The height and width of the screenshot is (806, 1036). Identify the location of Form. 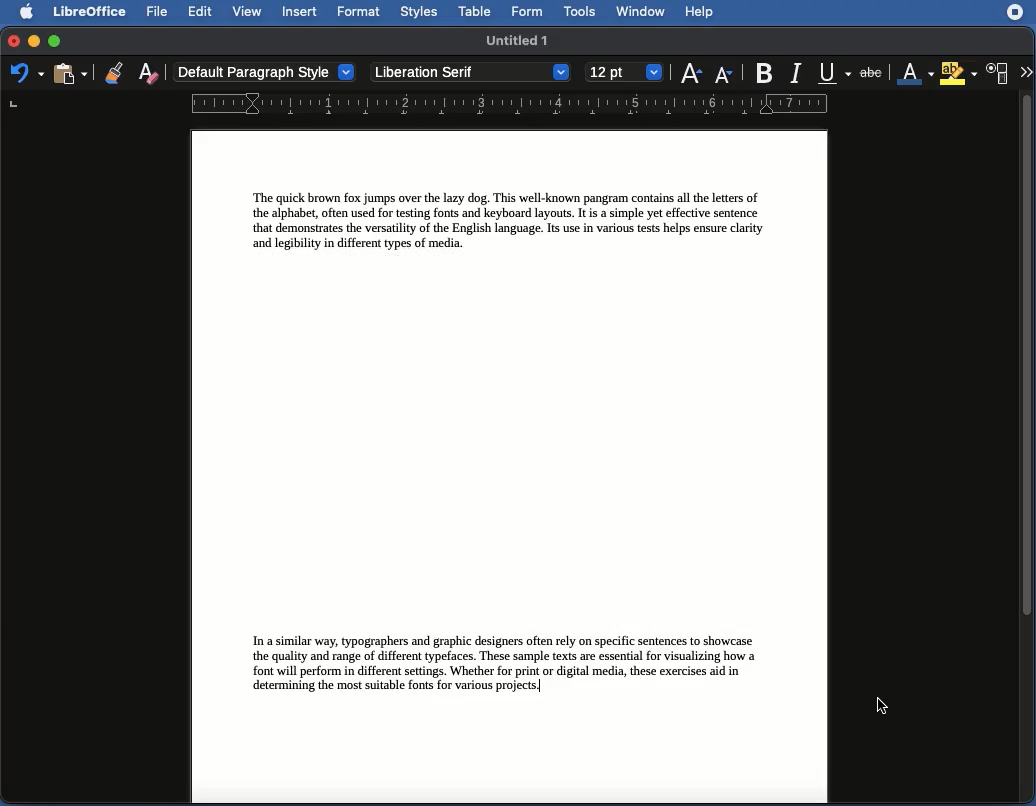
(529, 13).